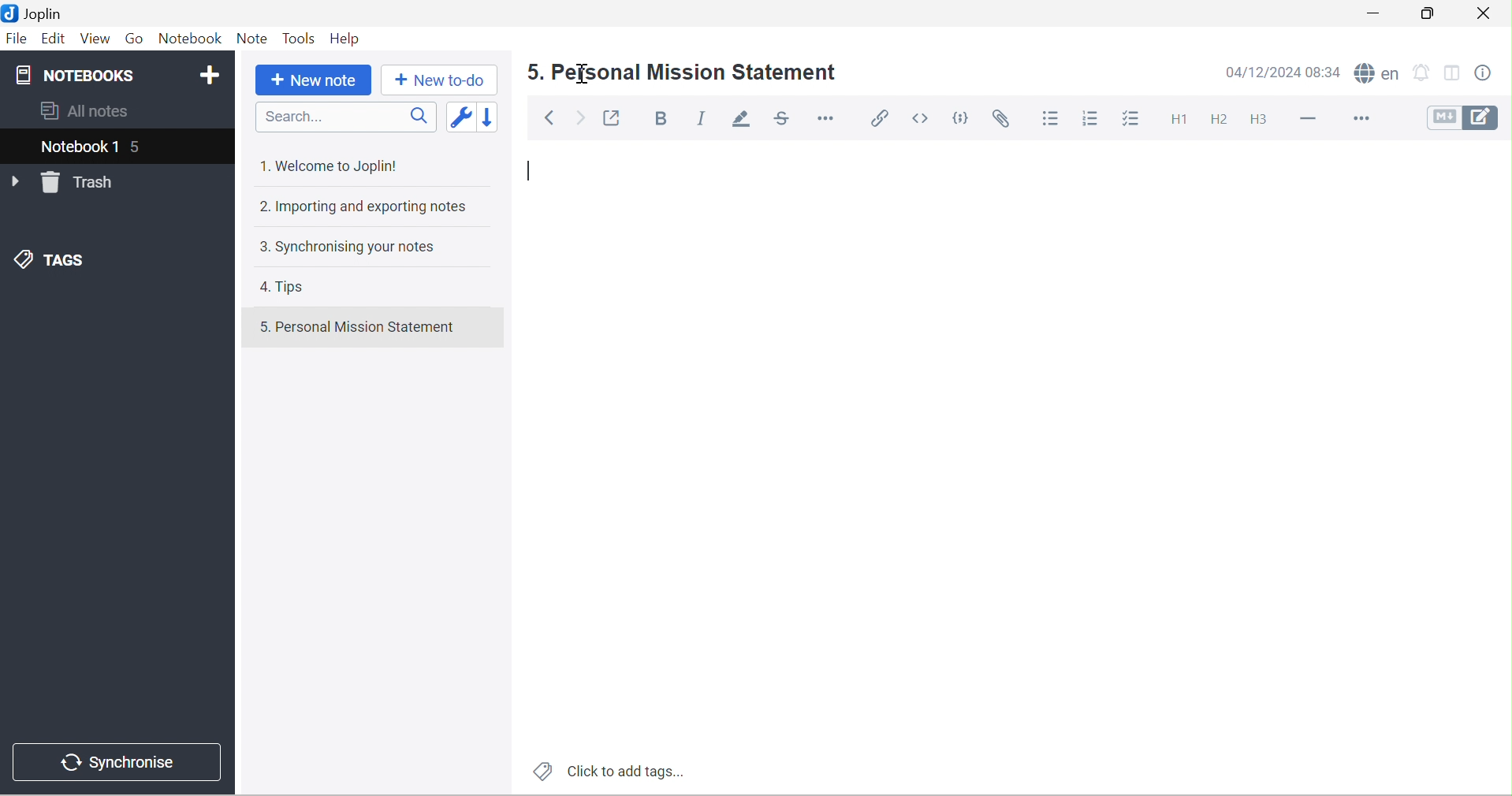  What do you see at coordinates (1134, 119) in the screenshot?
I see `Checkbox list` at bounding box center [1134, 119].